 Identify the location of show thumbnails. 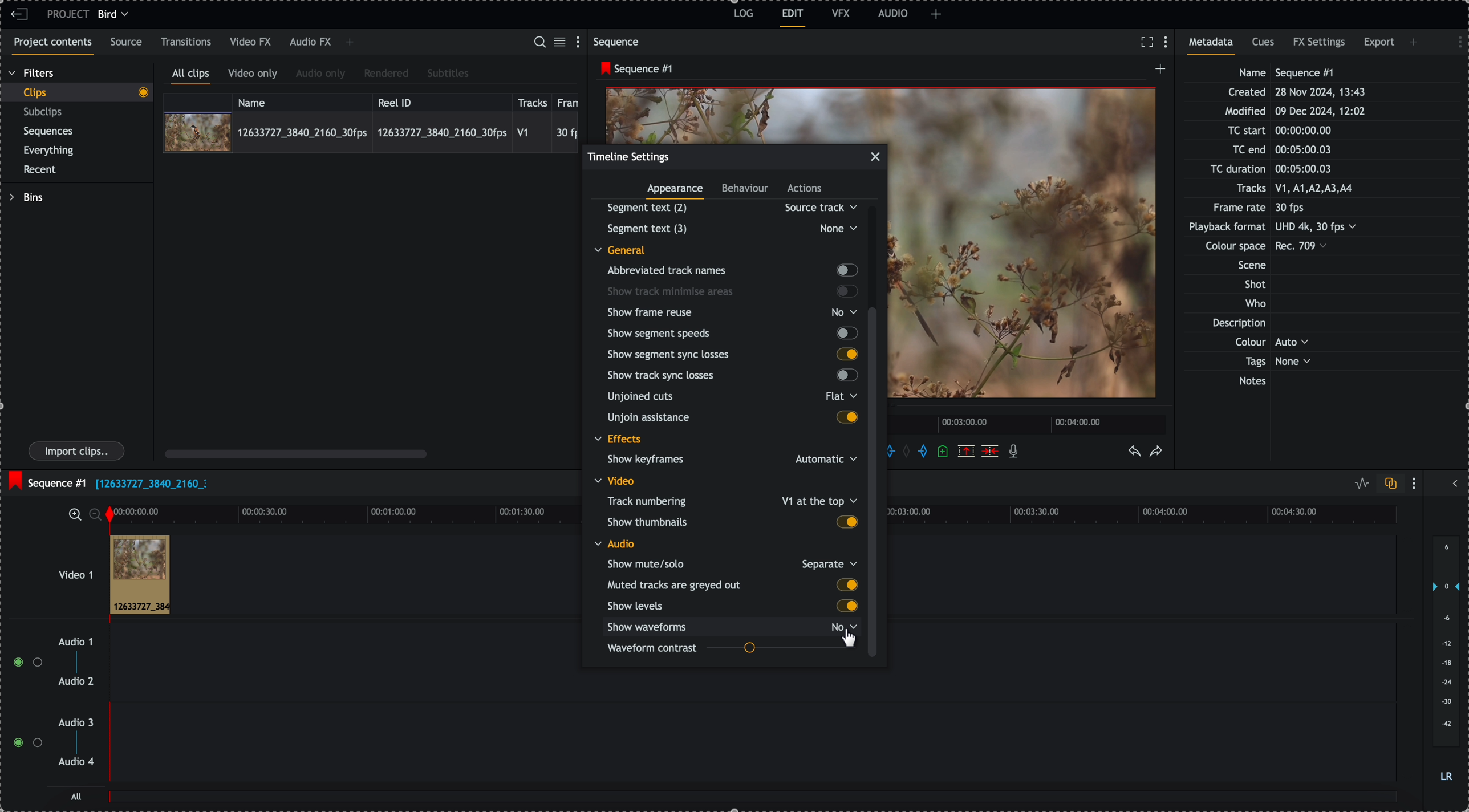
(732, 521).